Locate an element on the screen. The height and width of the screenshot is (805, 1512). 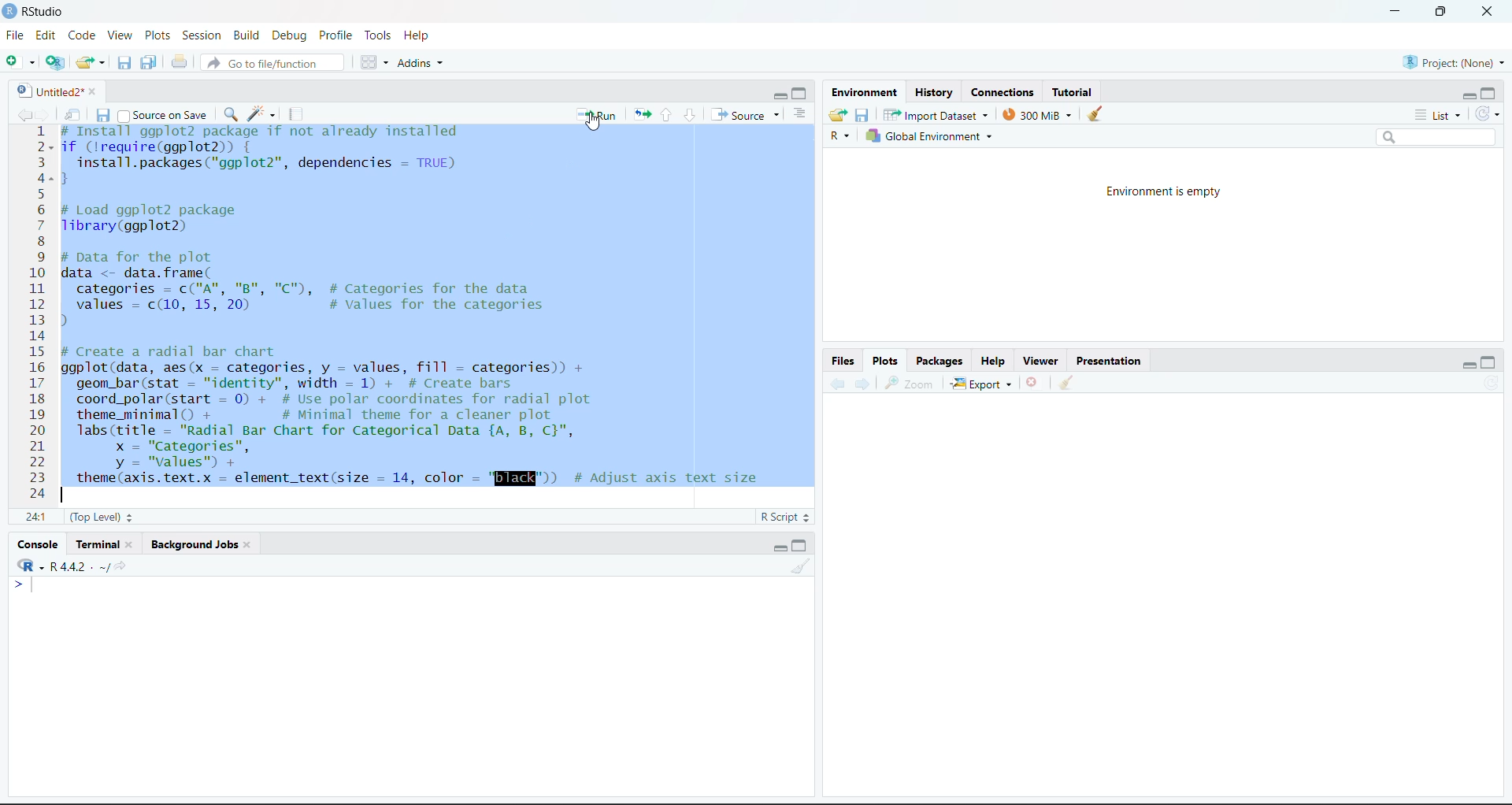
save is located at coordinates (862, 114).